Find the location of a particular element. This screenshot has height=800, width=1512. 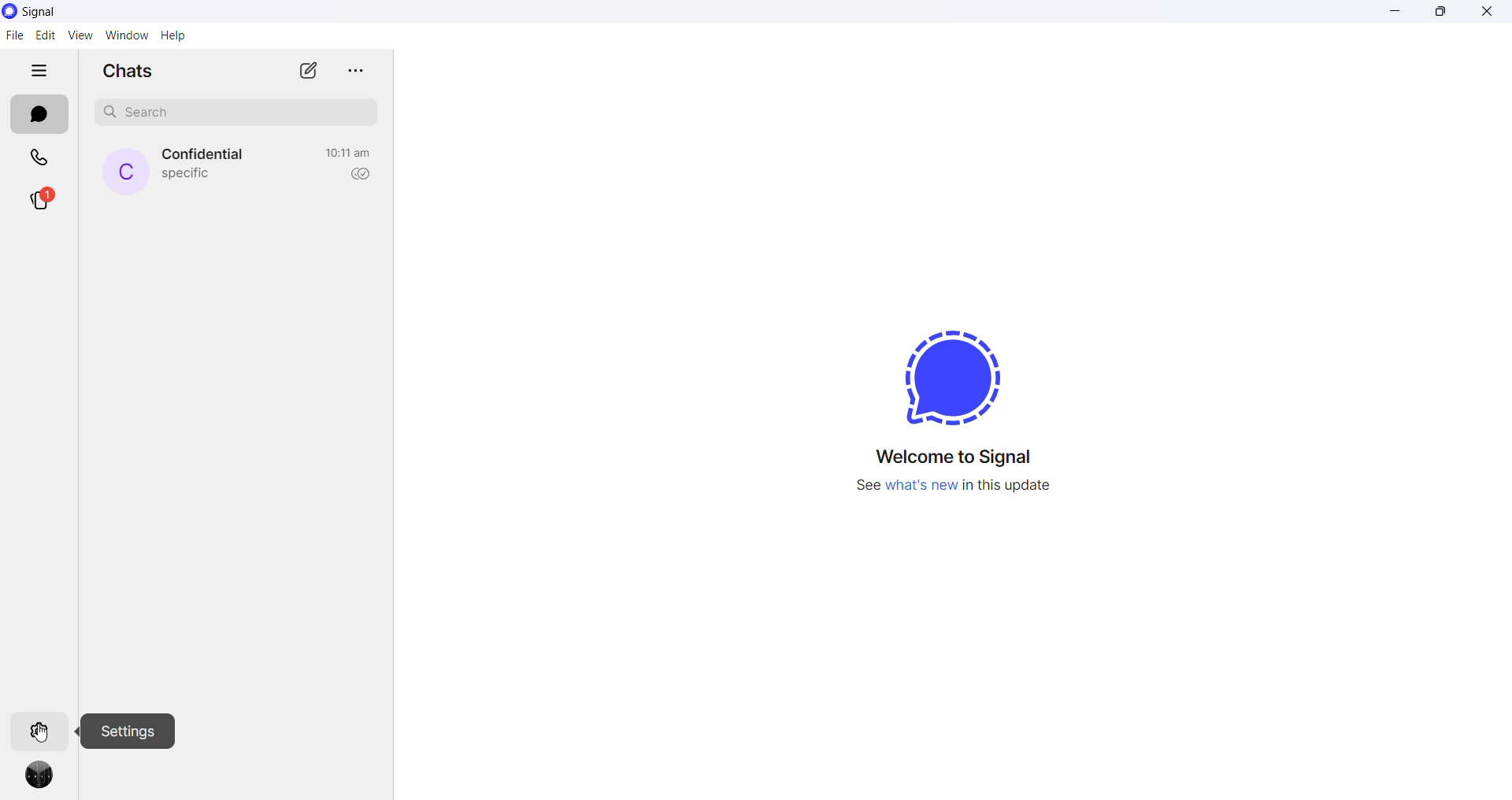

file is located at coordinates (14, 35).